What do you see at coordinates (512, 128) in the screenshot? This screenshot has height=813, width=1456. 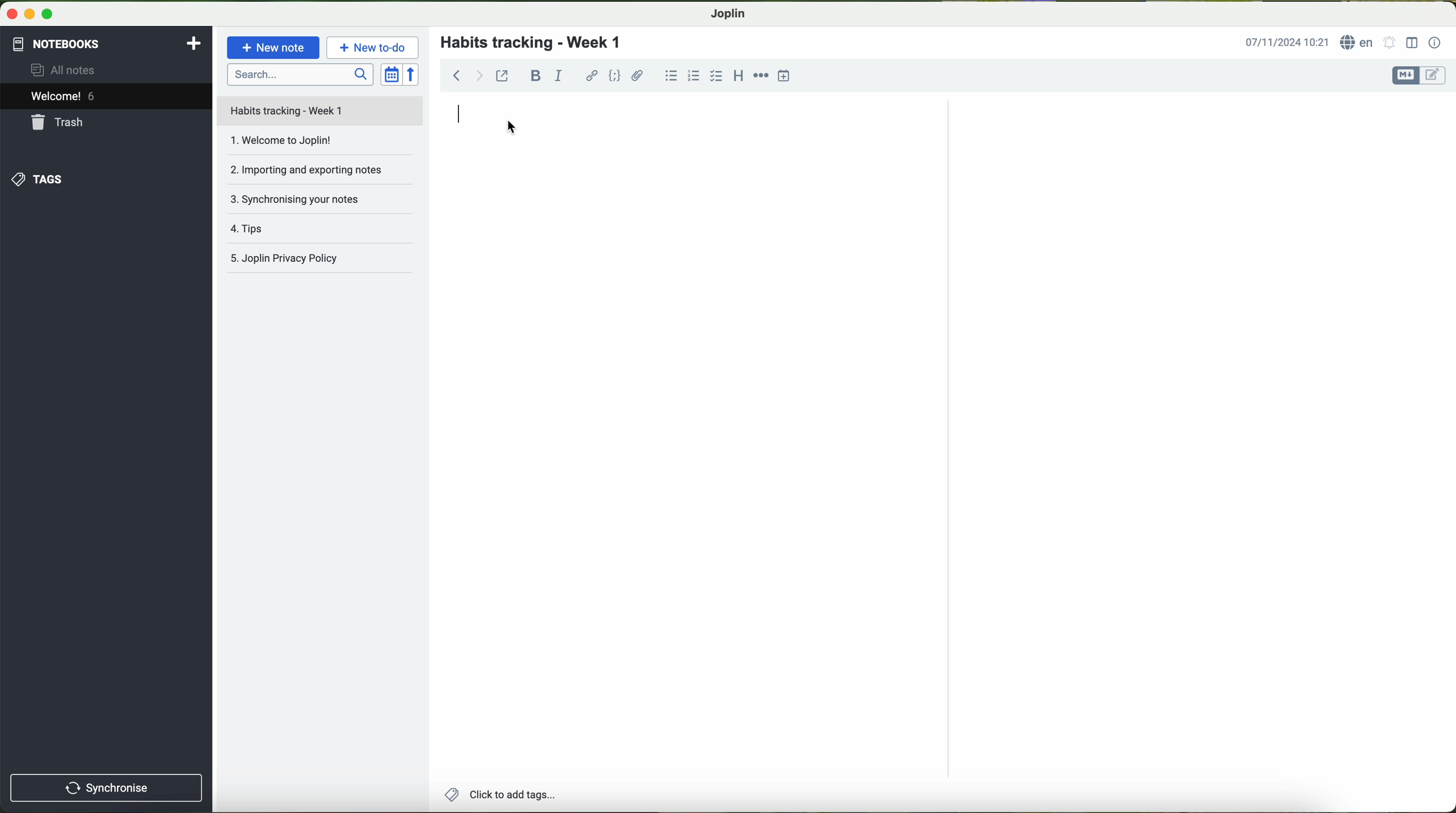 I see `cursor` at bounding box center [512, 128].